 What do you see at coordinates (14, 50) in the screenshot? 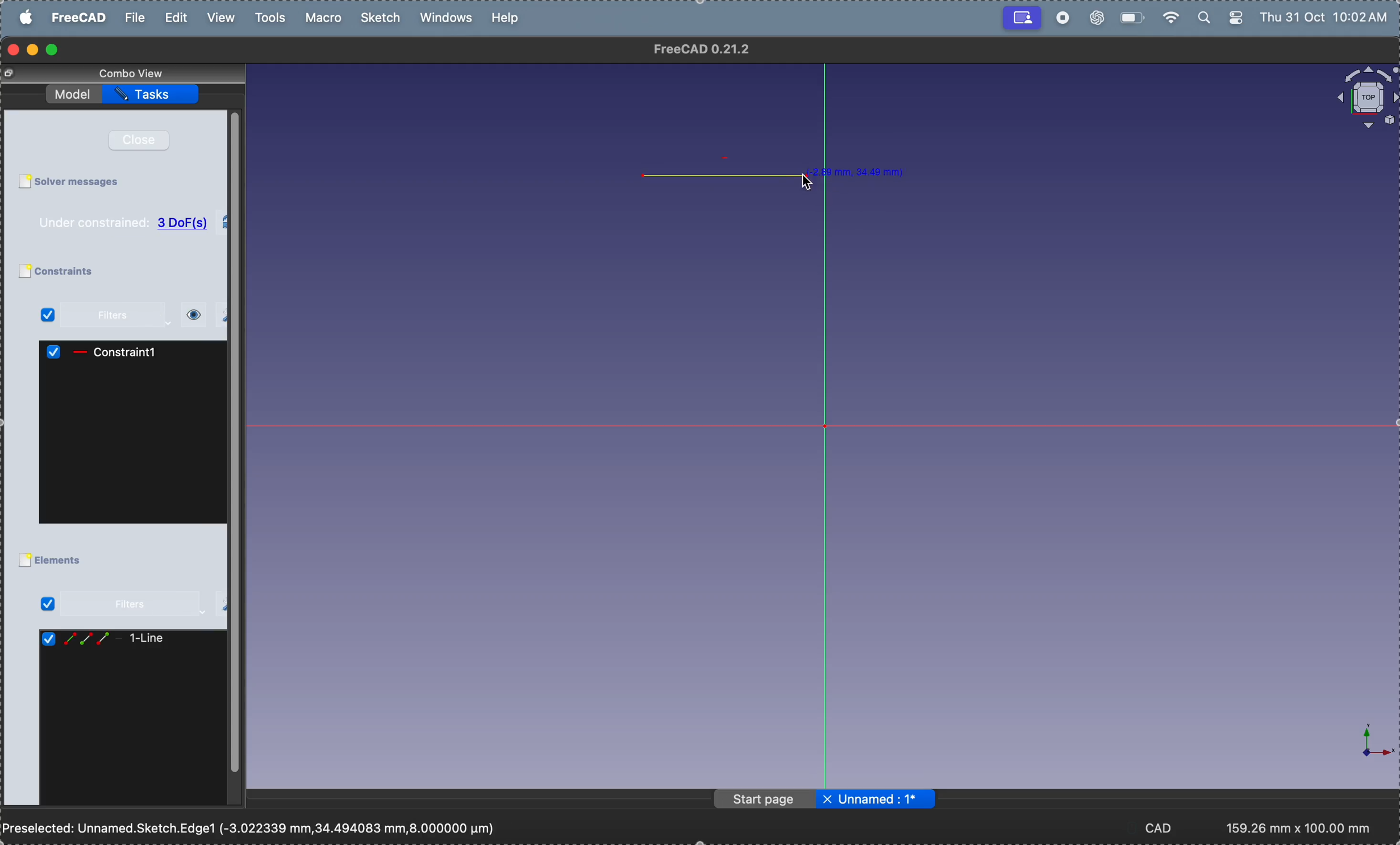
I see `closing window` at bounding box center [14, 50].